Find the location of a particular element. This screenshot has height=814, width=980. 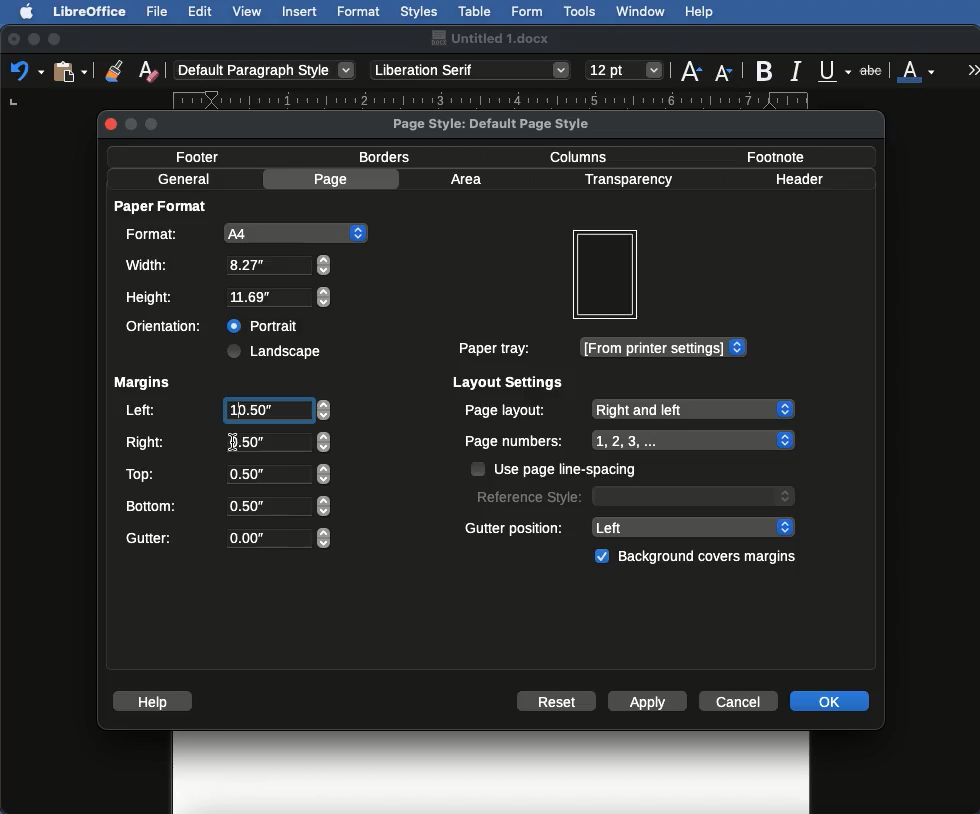

Preview is located at coordinates (604, 275).